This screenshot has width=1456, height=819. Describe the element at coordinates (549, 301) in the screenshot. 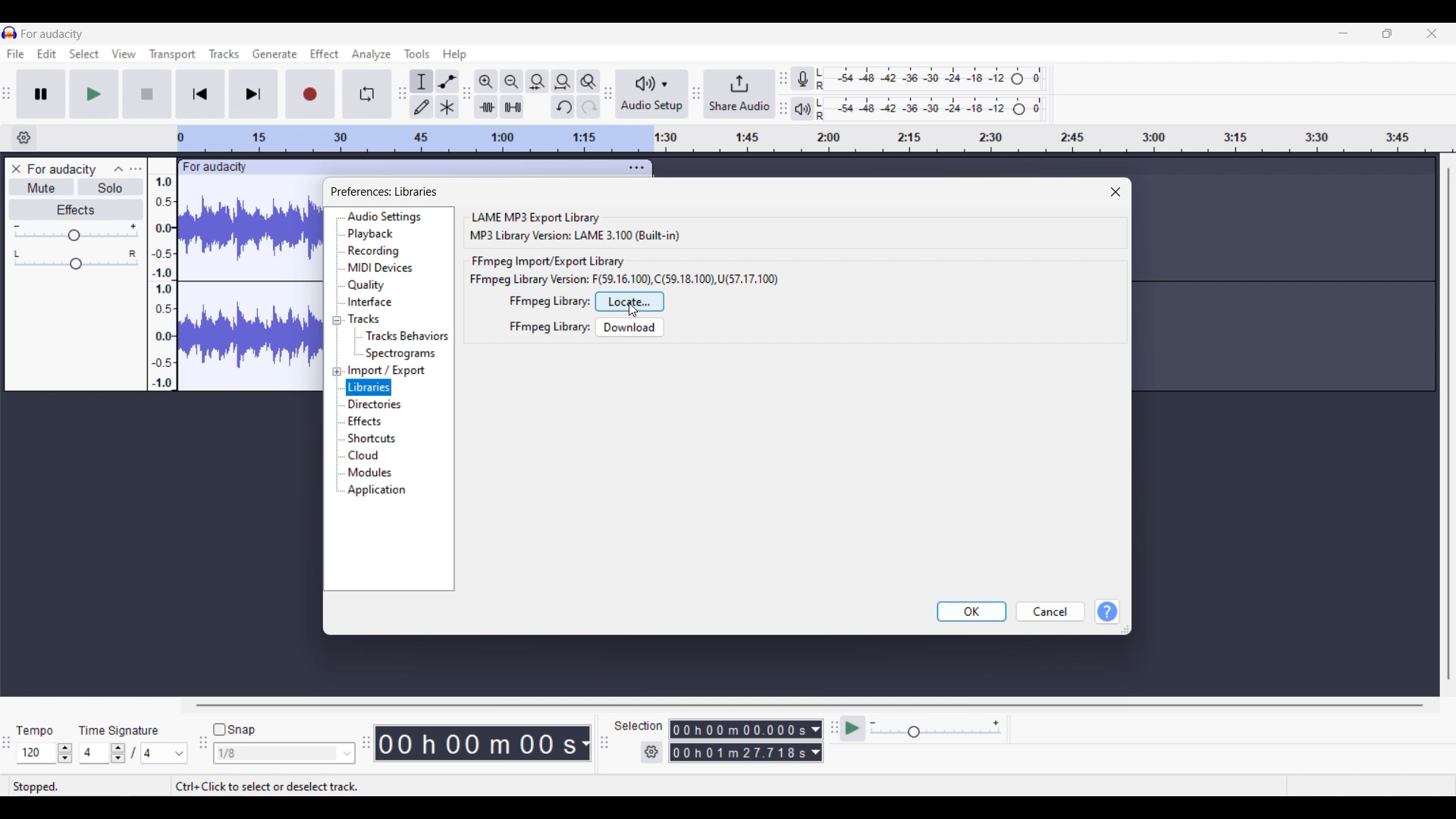

I see `FFmpeg library` at that location.